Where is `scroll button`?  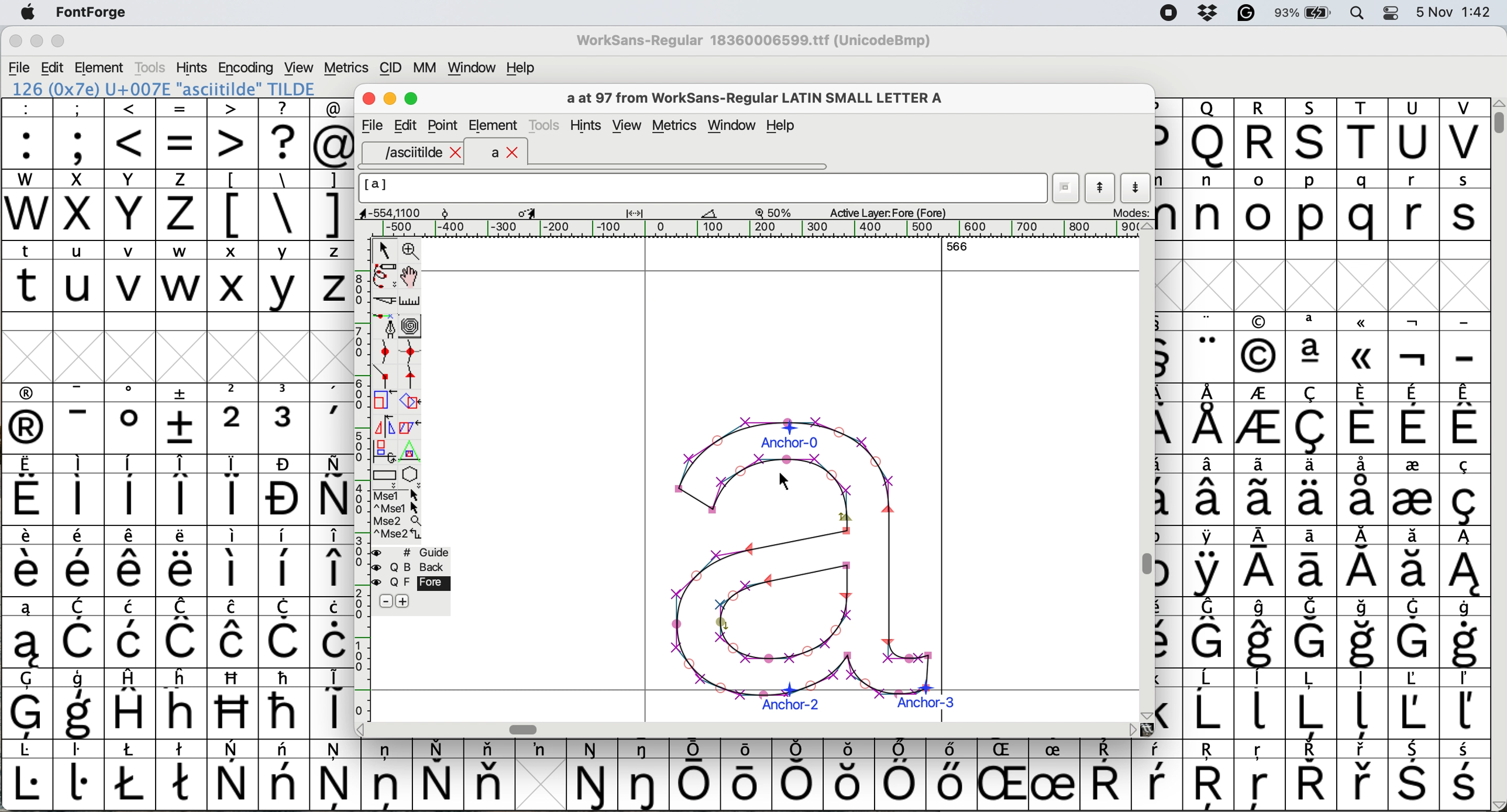
scroll button is located at coordinates (1145, 714).